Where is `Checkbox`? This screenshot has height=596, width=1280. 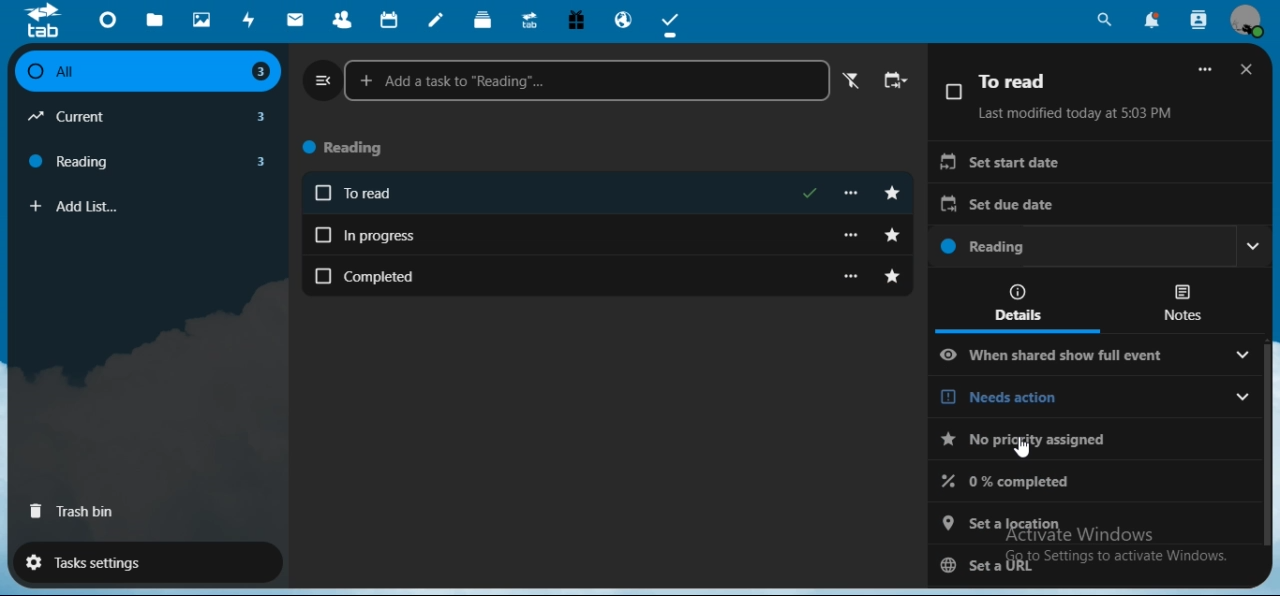
Checkbox is located at coordinates (32, 72).